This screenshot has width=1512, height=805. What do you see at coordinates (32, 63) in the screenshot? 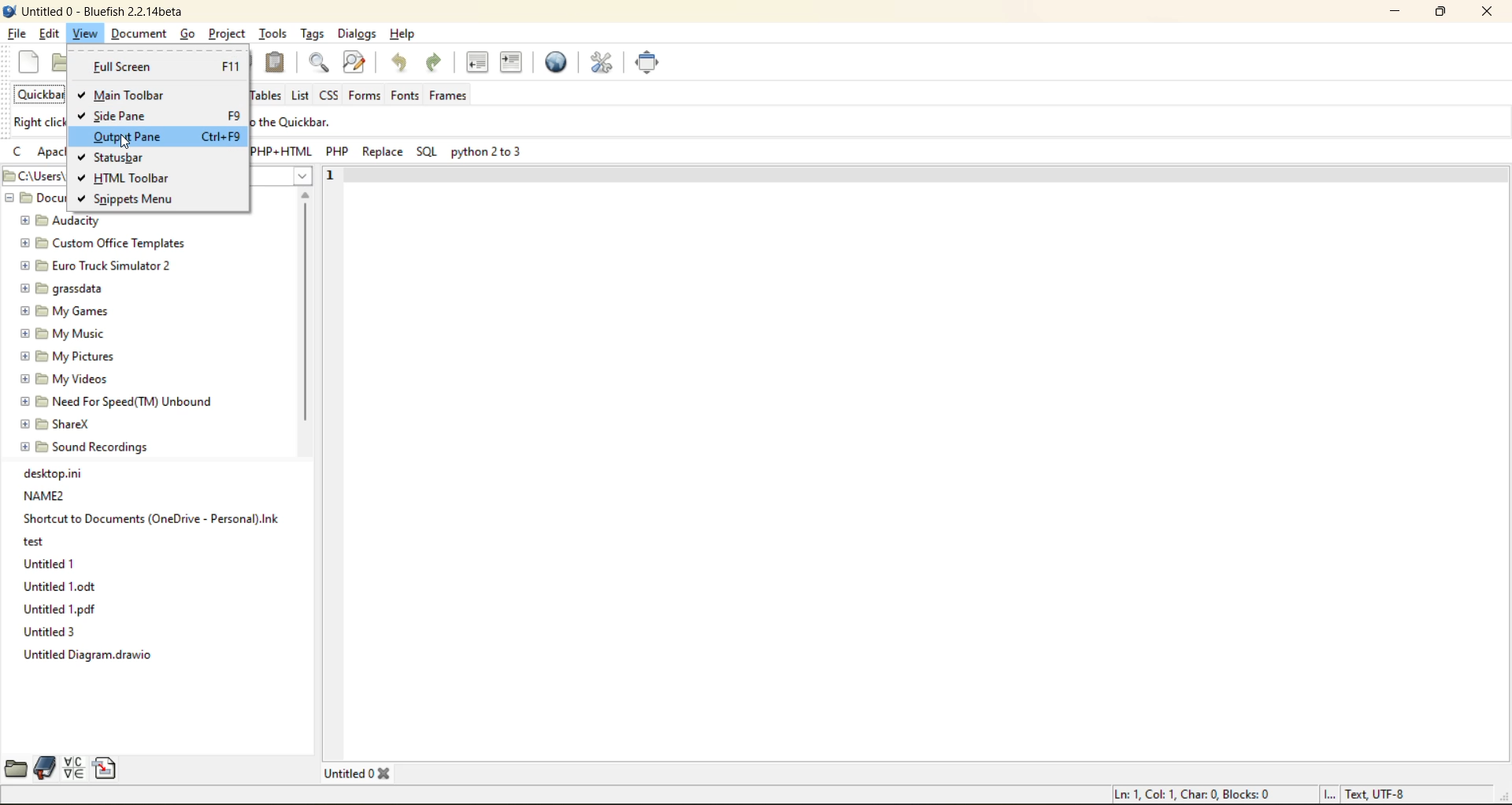
I see `new` at bounding box center [32, 63].